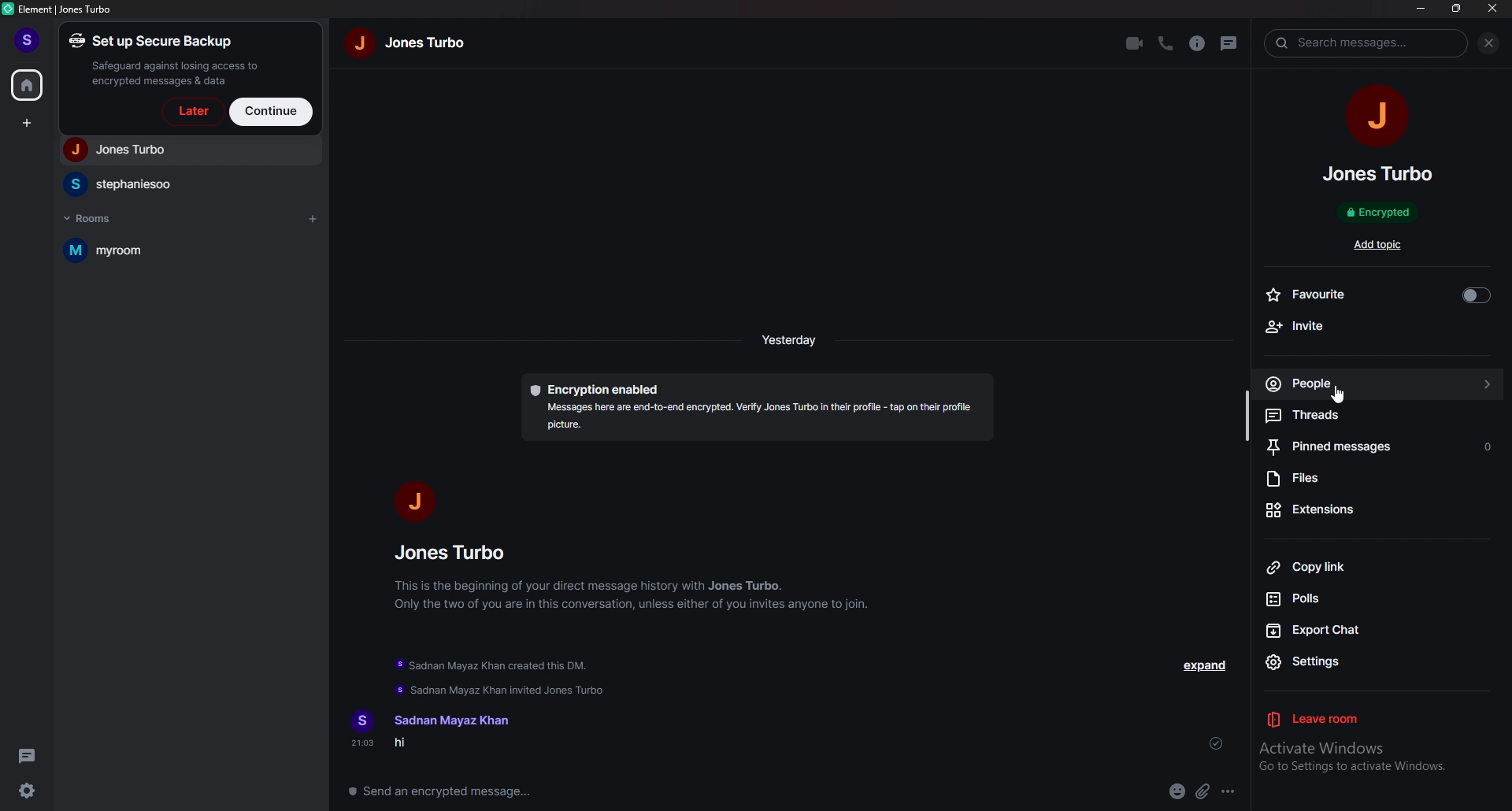 The height and width of the screenshot is (811, 1512). Describe the element at coordinates (1198, 43) in the screenshot. I see `info` at that location.